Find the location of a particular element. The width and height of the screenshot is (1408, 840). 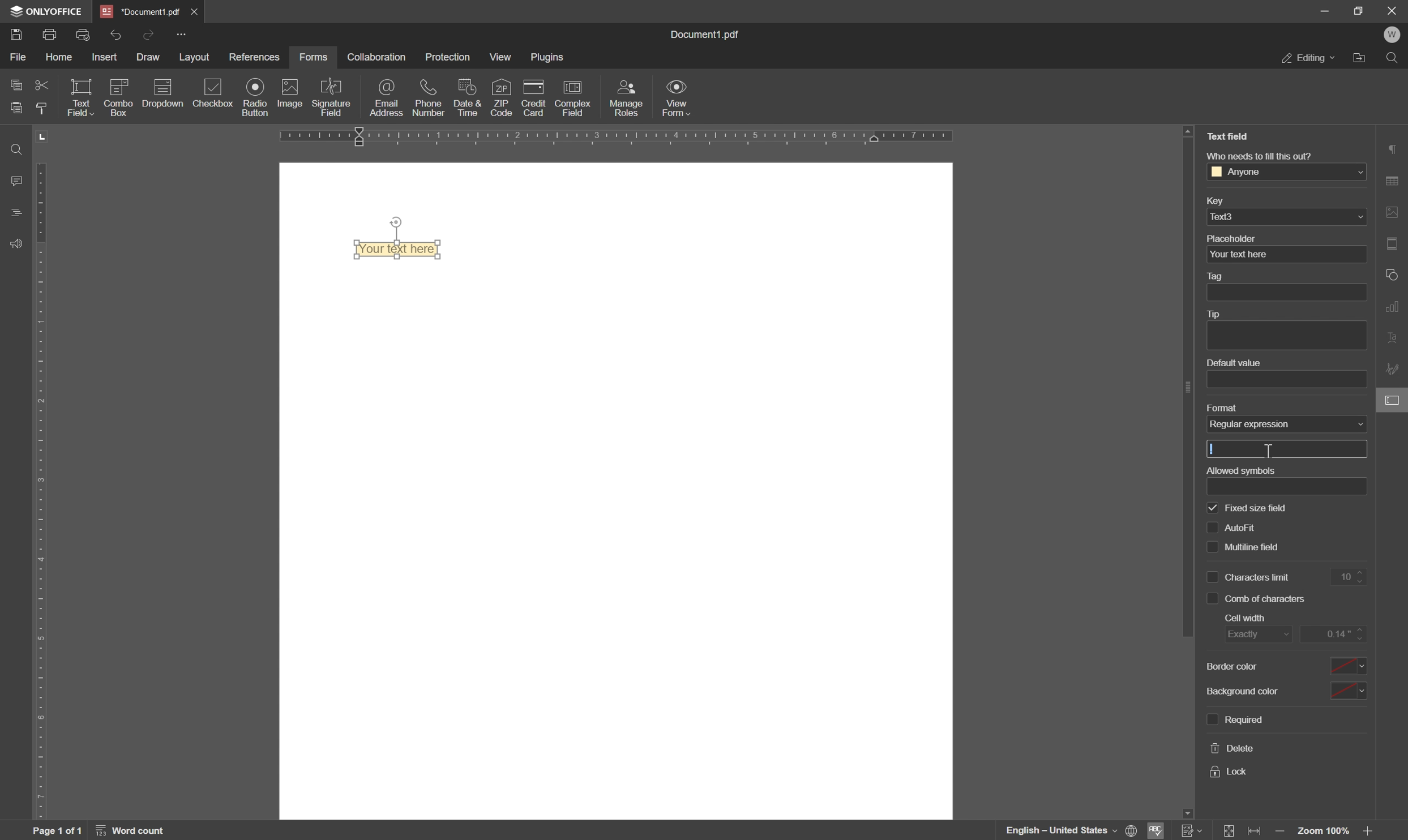

print is located at coordinates (51, 36).